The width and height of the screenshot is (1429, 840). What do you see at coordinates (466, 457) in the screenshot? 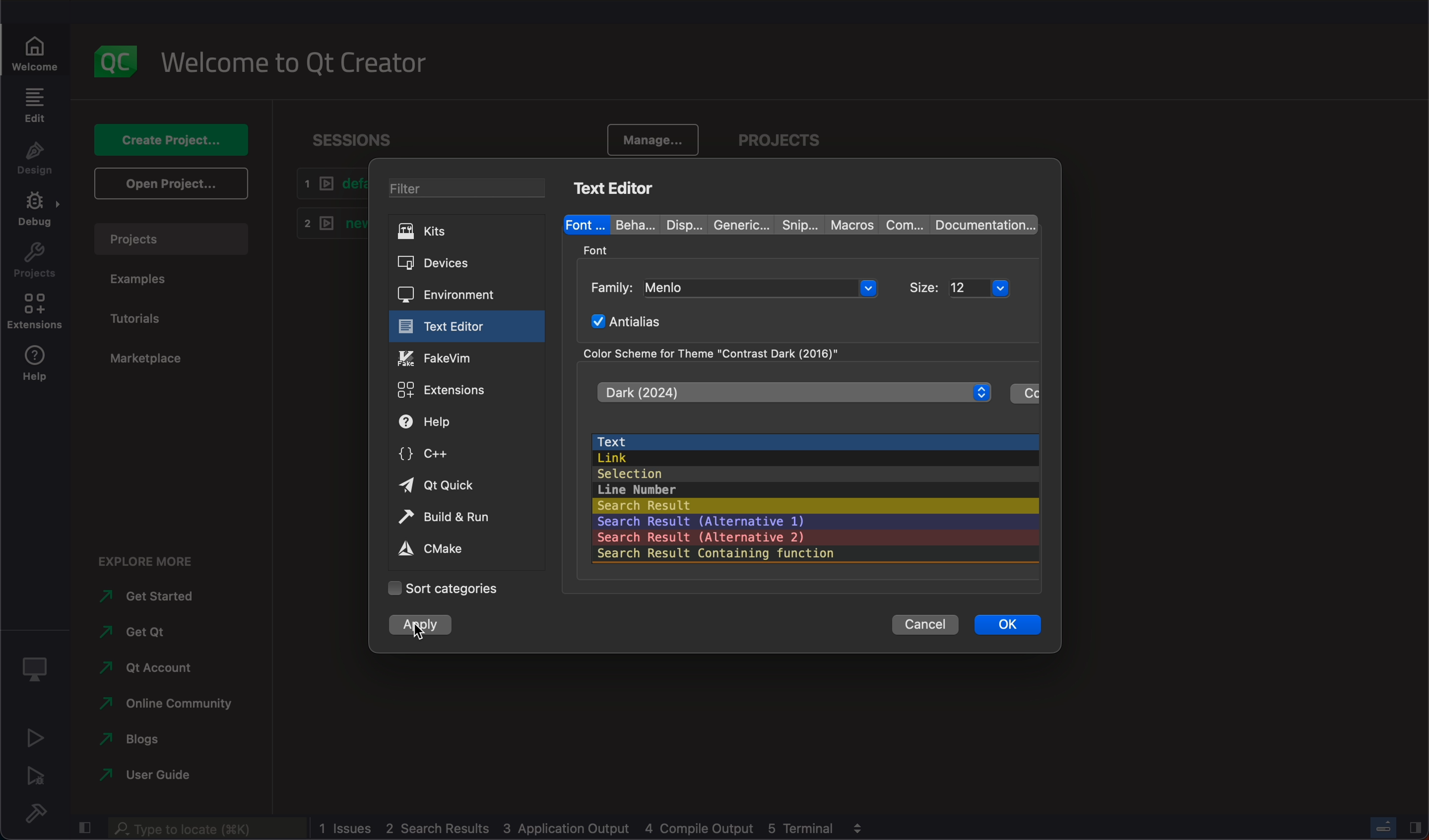
I see `c++` at bounding box center [466, 457].